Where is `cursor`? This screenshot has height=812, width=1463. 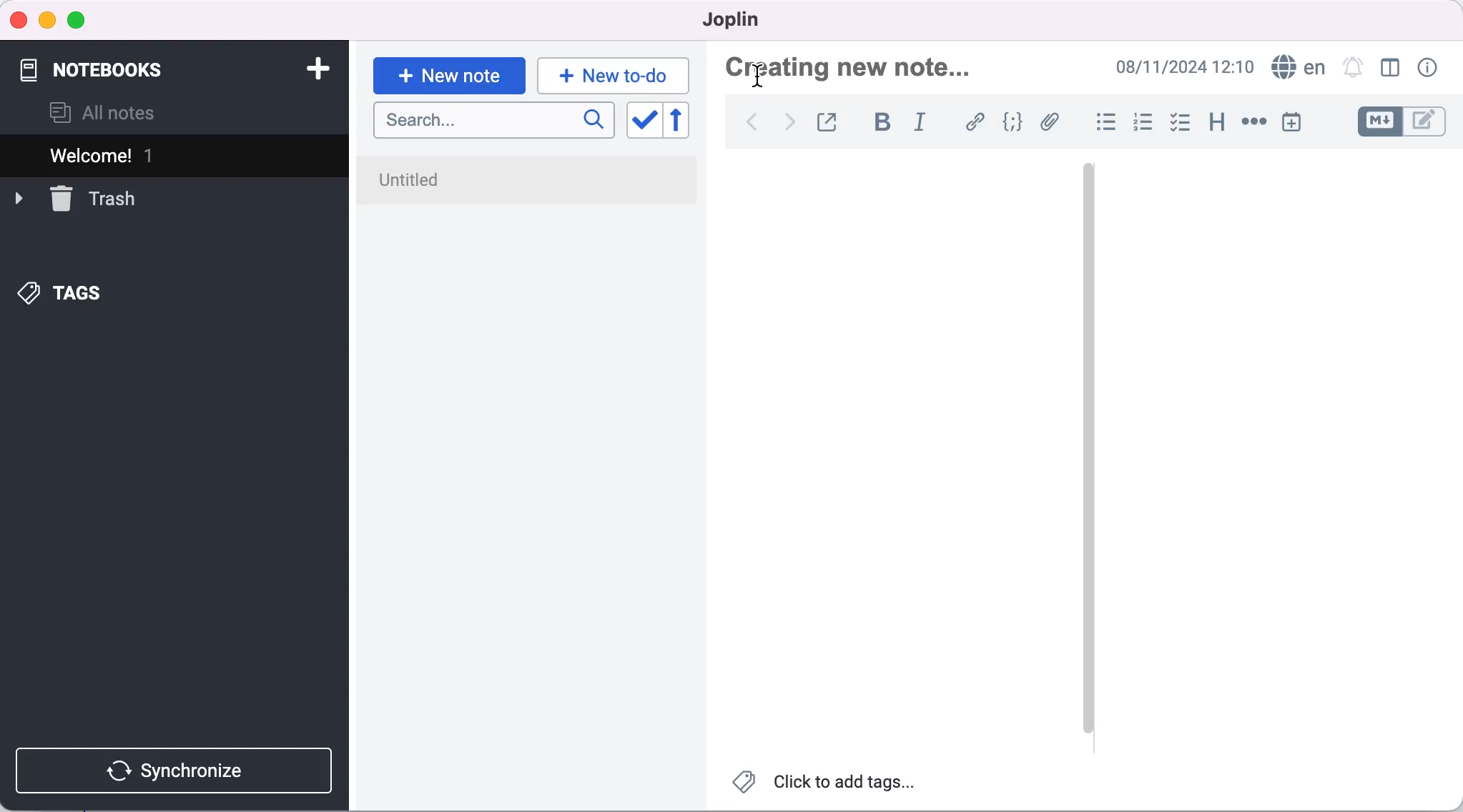
cursor is located at coordinates (757, 75).